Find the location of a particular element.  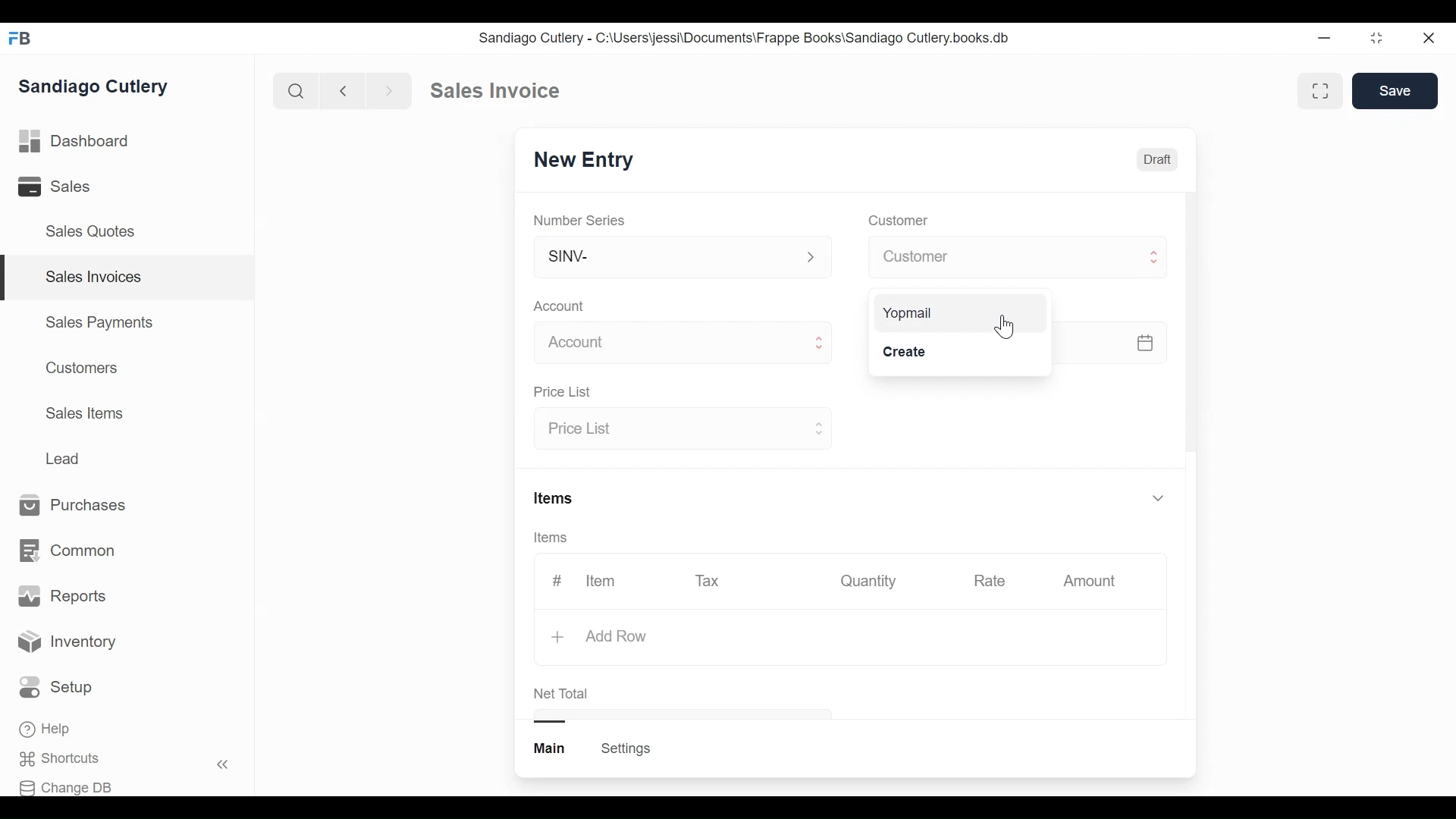

Settings is located at coordinates (628, 748).